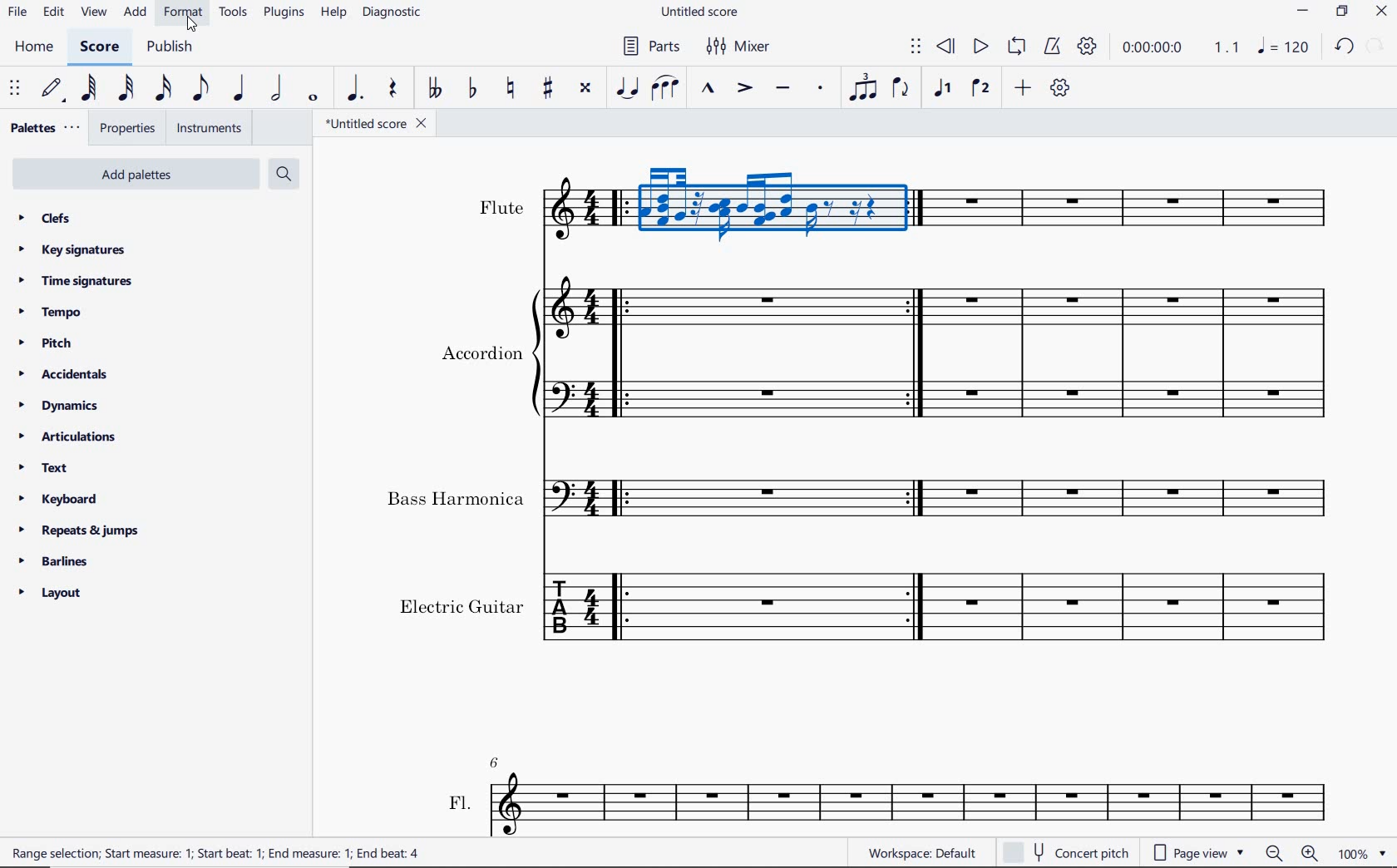 Image resolution: width=1397 pixels, height=868 pixels. What do you see at coordinates (46, 344) in the screenshot?
I see `pitch` at bounding box center [46, 344].